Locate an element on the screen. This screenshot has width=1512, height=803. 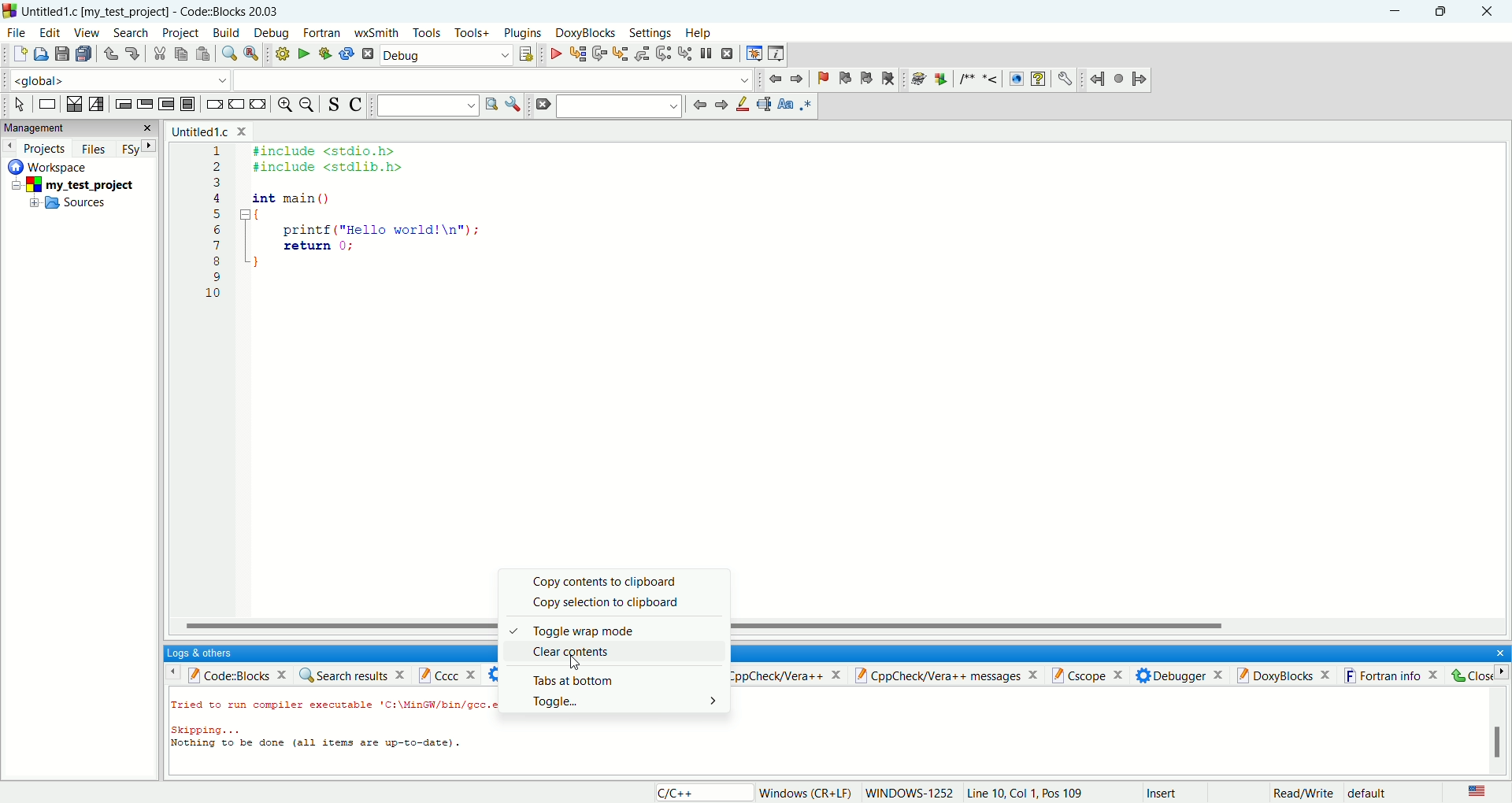
toggle bookmark is located at coordinates (820, 79).